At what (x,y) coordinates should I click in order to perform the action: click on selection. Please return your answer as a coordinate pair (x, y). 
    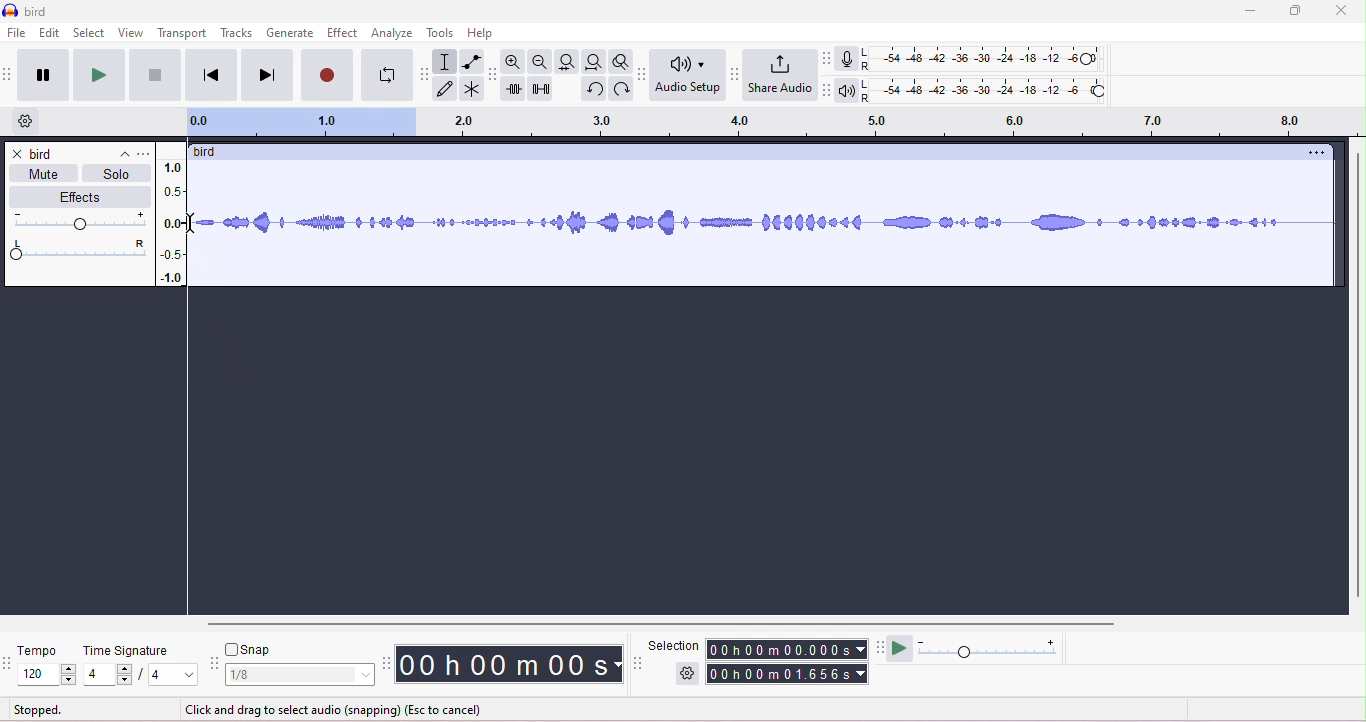
    Looking at the image, I should click on (676, 643).